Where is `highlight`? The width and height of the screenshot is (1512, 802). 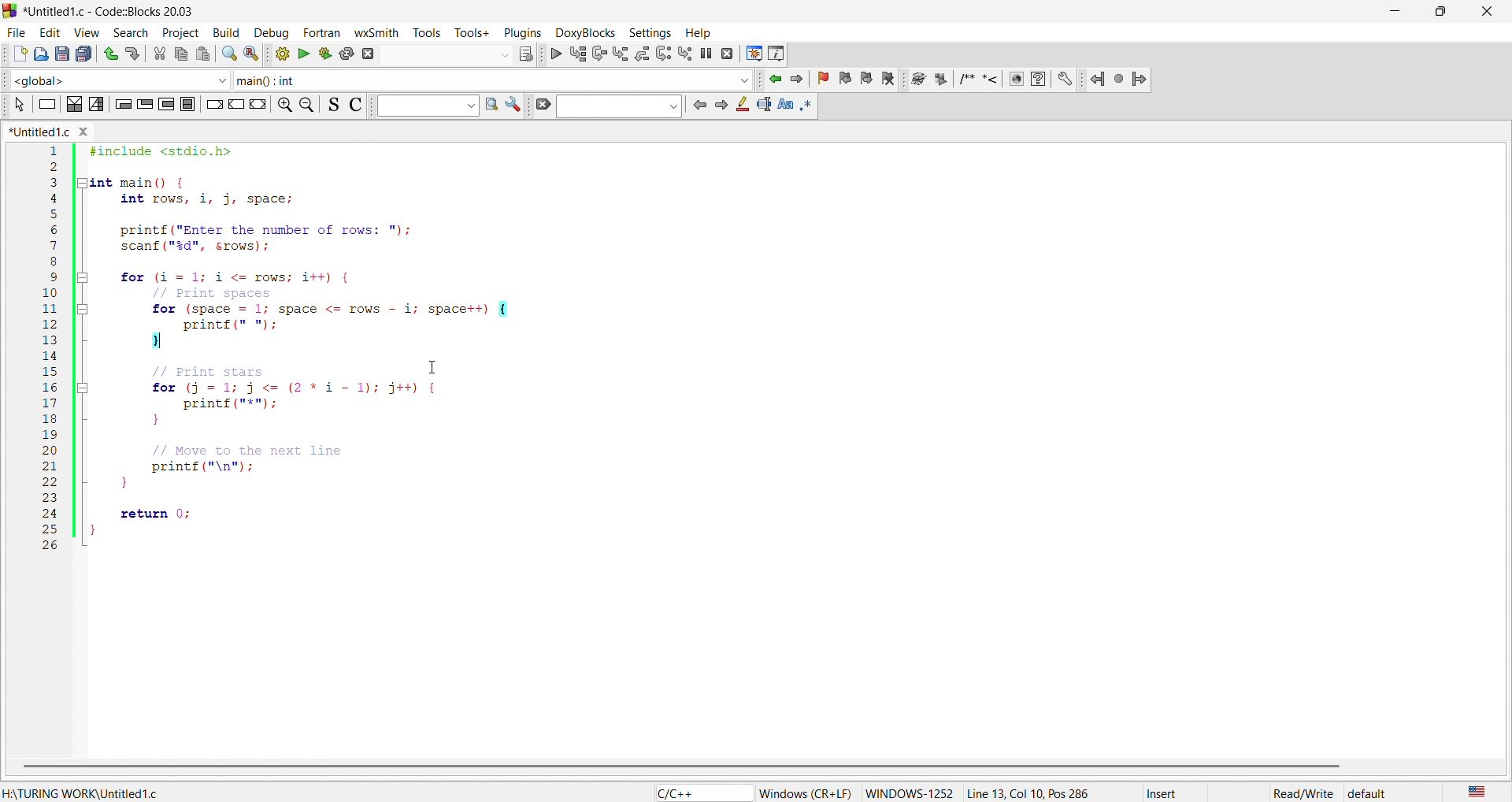 highlight is located at coordinates (741, 105).